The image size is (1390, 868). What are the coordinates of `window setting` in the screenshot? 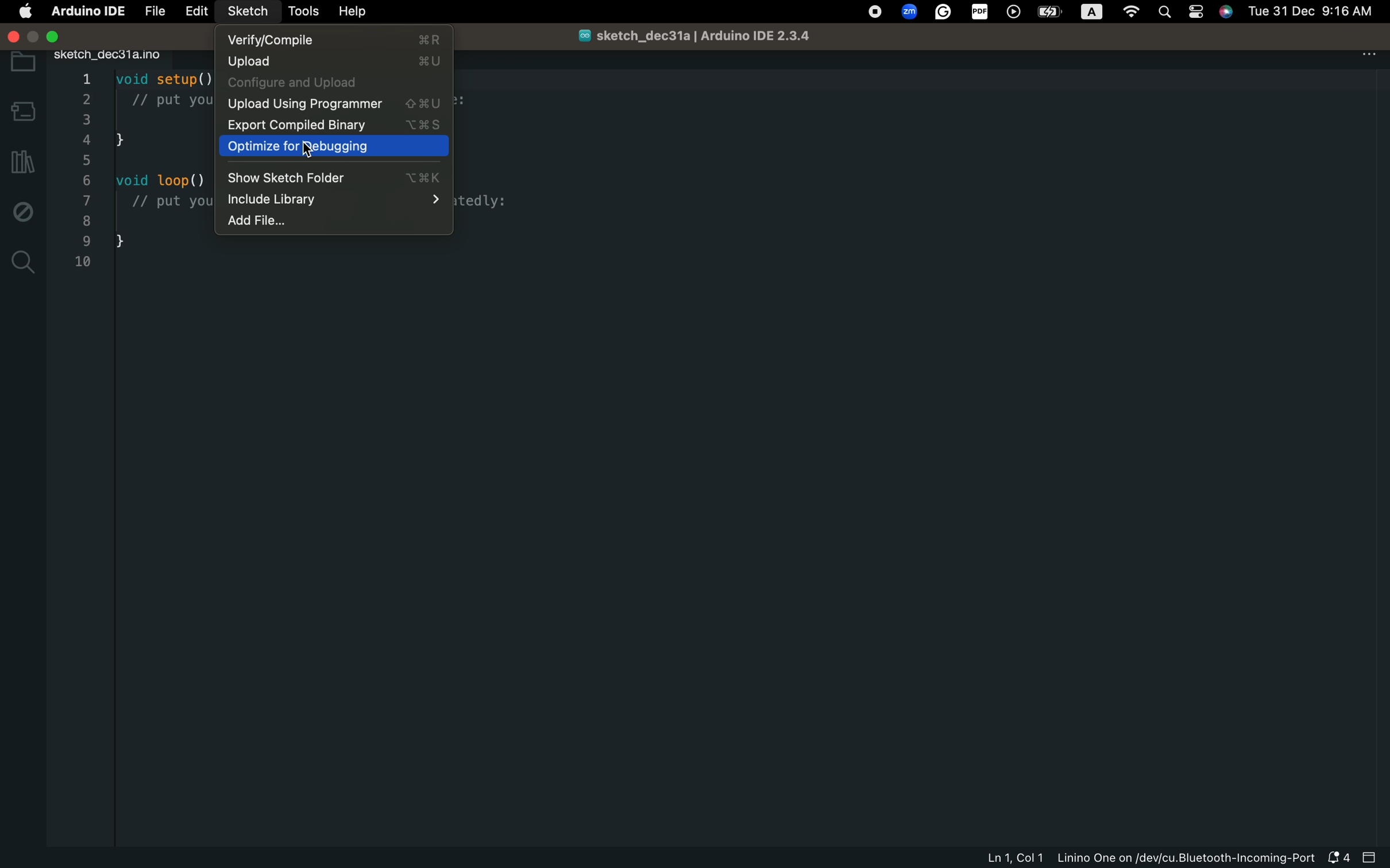 It's located at (67, 36).